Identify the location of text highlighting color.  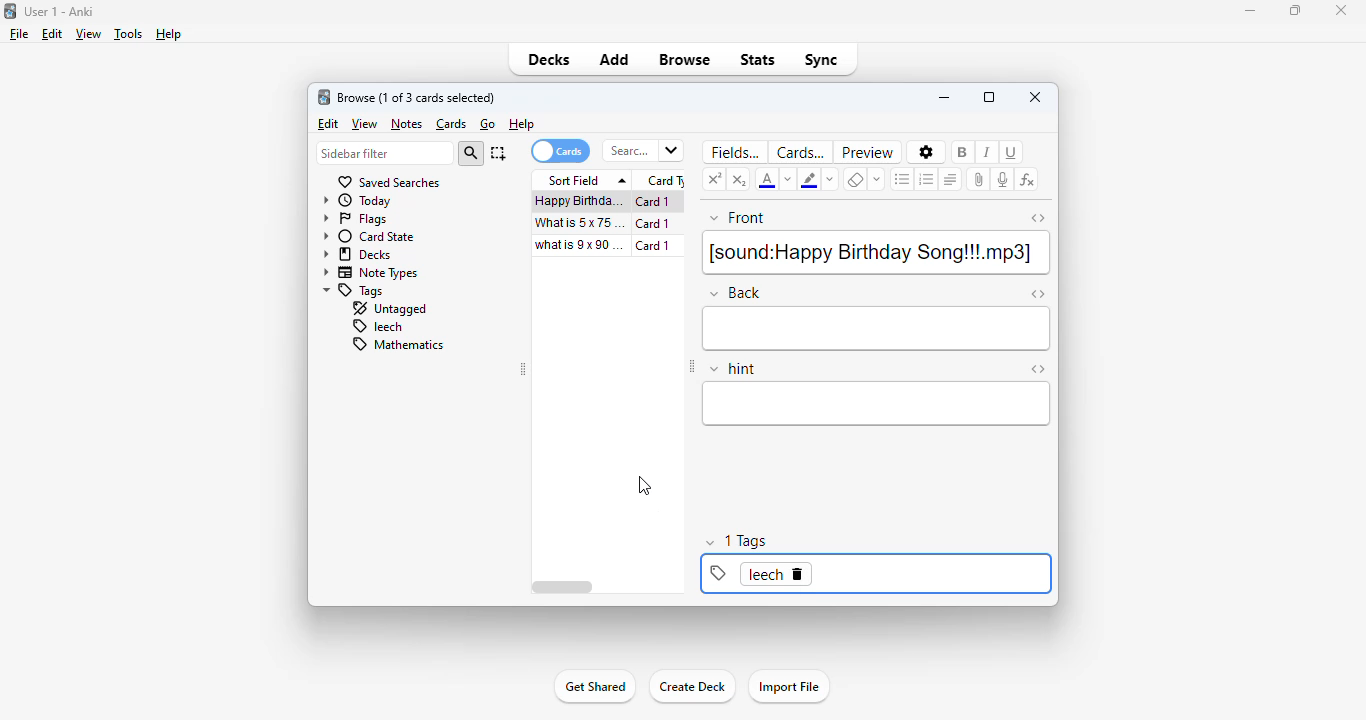
(809, 179).